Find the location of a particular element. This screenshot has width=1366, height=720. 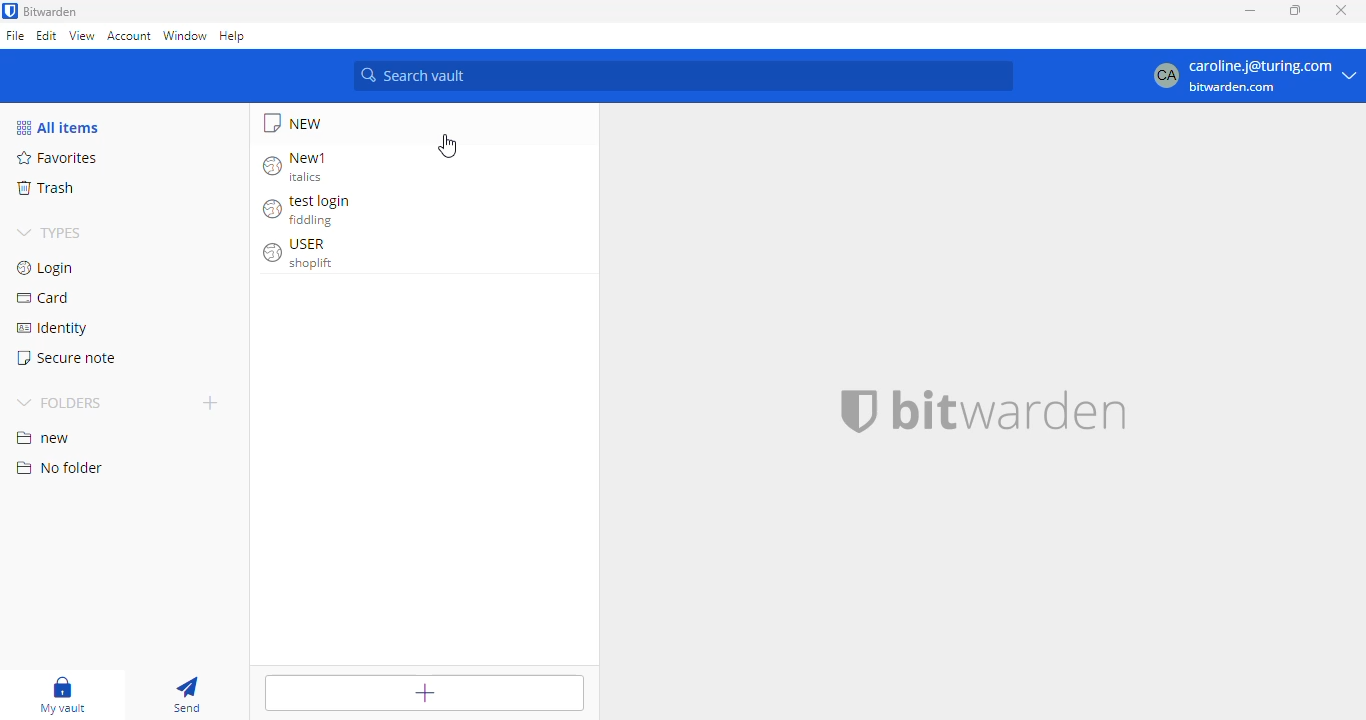

account is located at coordinates (130, 35).